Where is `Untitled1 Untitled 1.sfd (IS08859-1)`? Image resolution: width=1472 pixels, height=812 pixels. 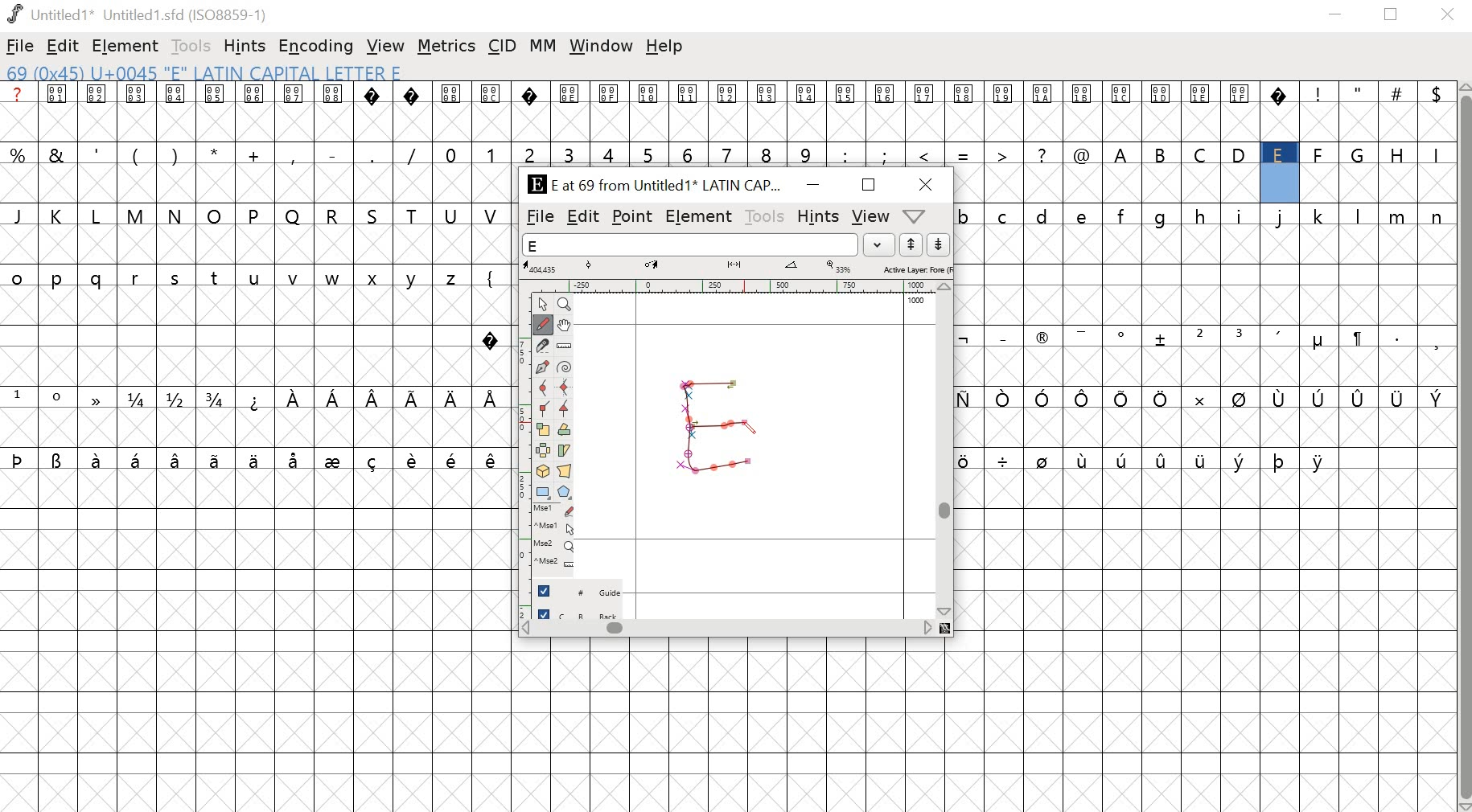
Untitled1 Untitled 1.sfd (IS08859-1) is located at coordinates (135, 14).